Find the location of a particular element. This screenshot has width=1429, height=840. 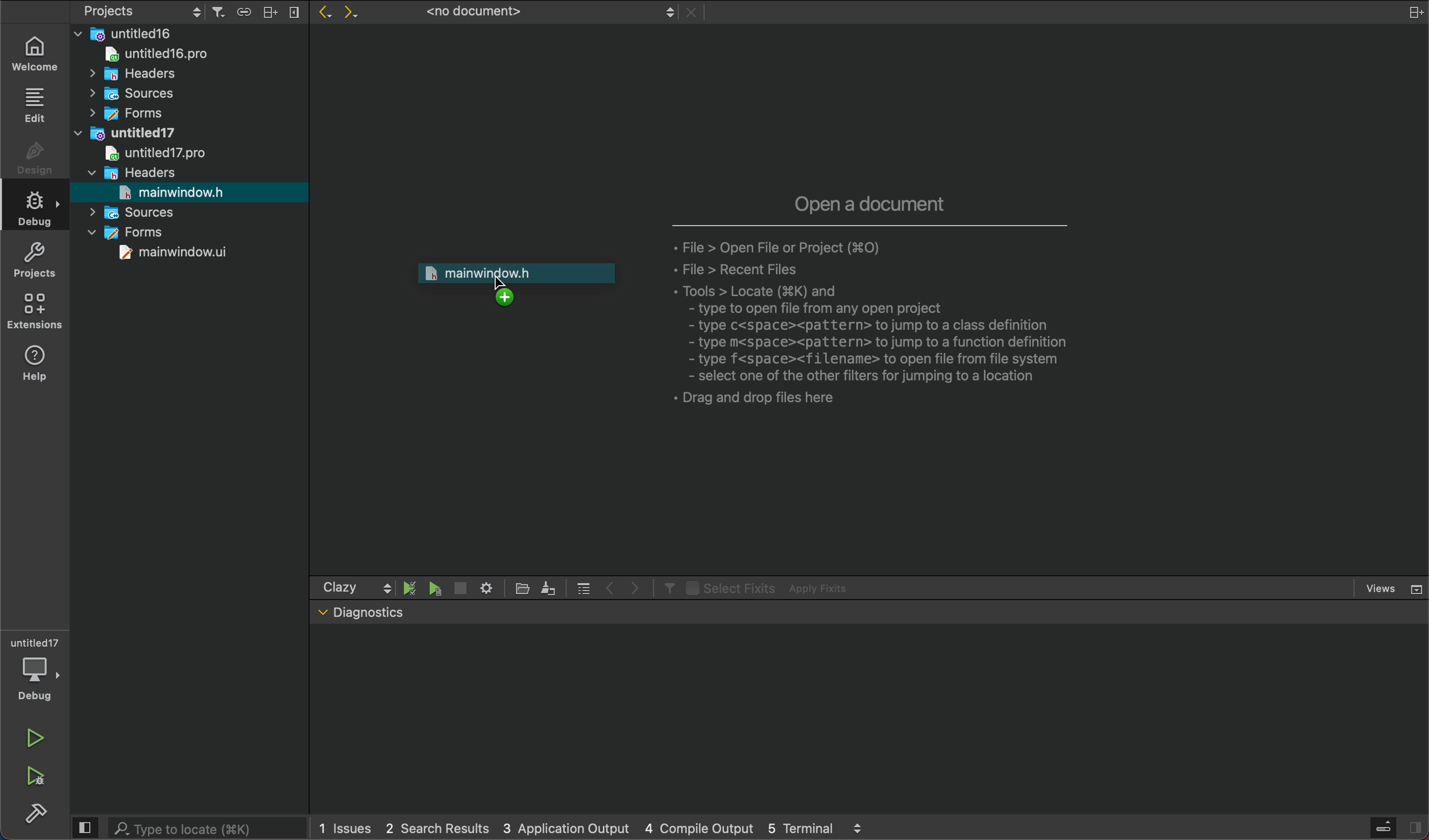

mainwindow.h is located at coordinates (517, 283).